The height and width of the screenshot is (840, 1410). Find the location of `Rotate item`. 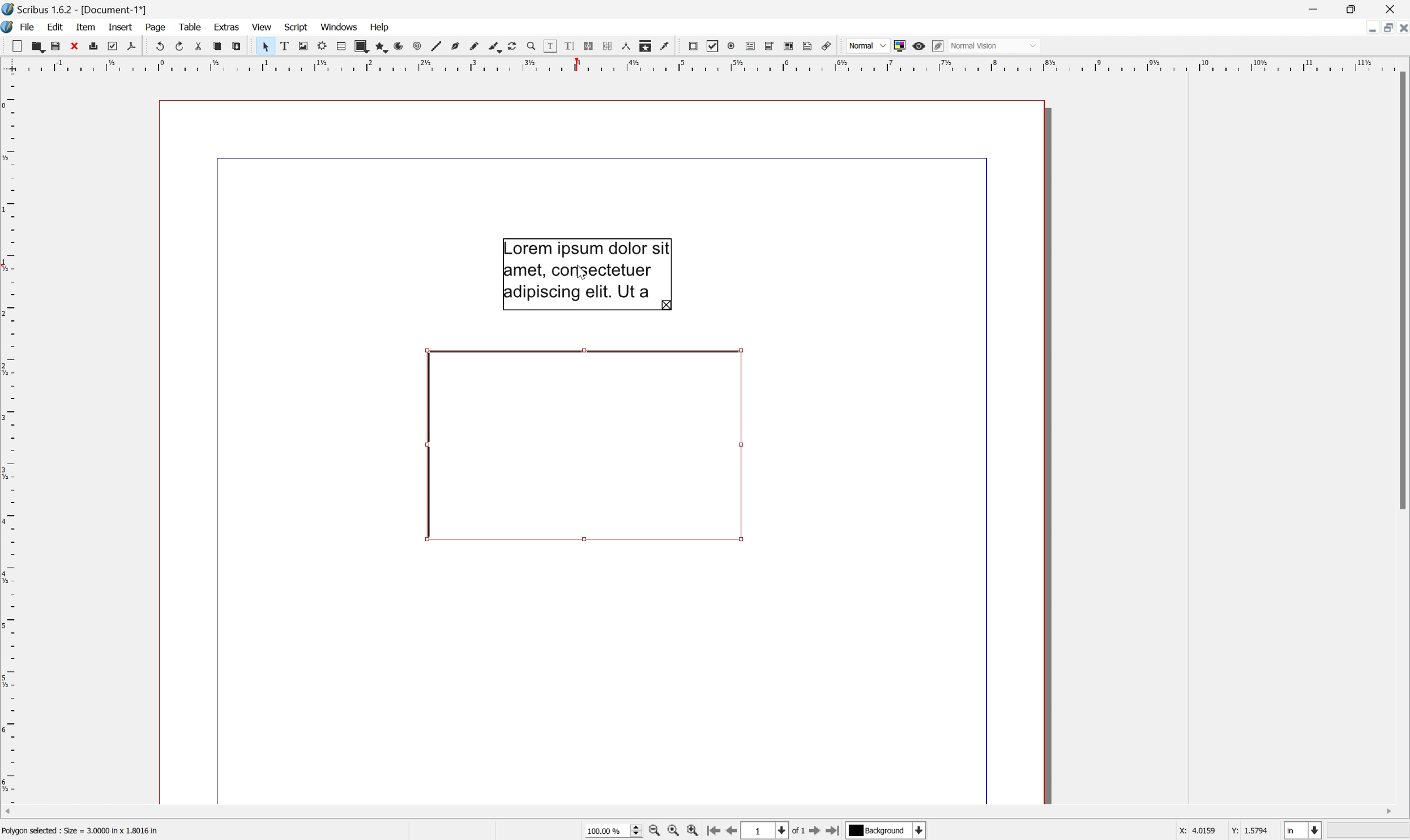

Rotate item is located at coordinates (581, 445).